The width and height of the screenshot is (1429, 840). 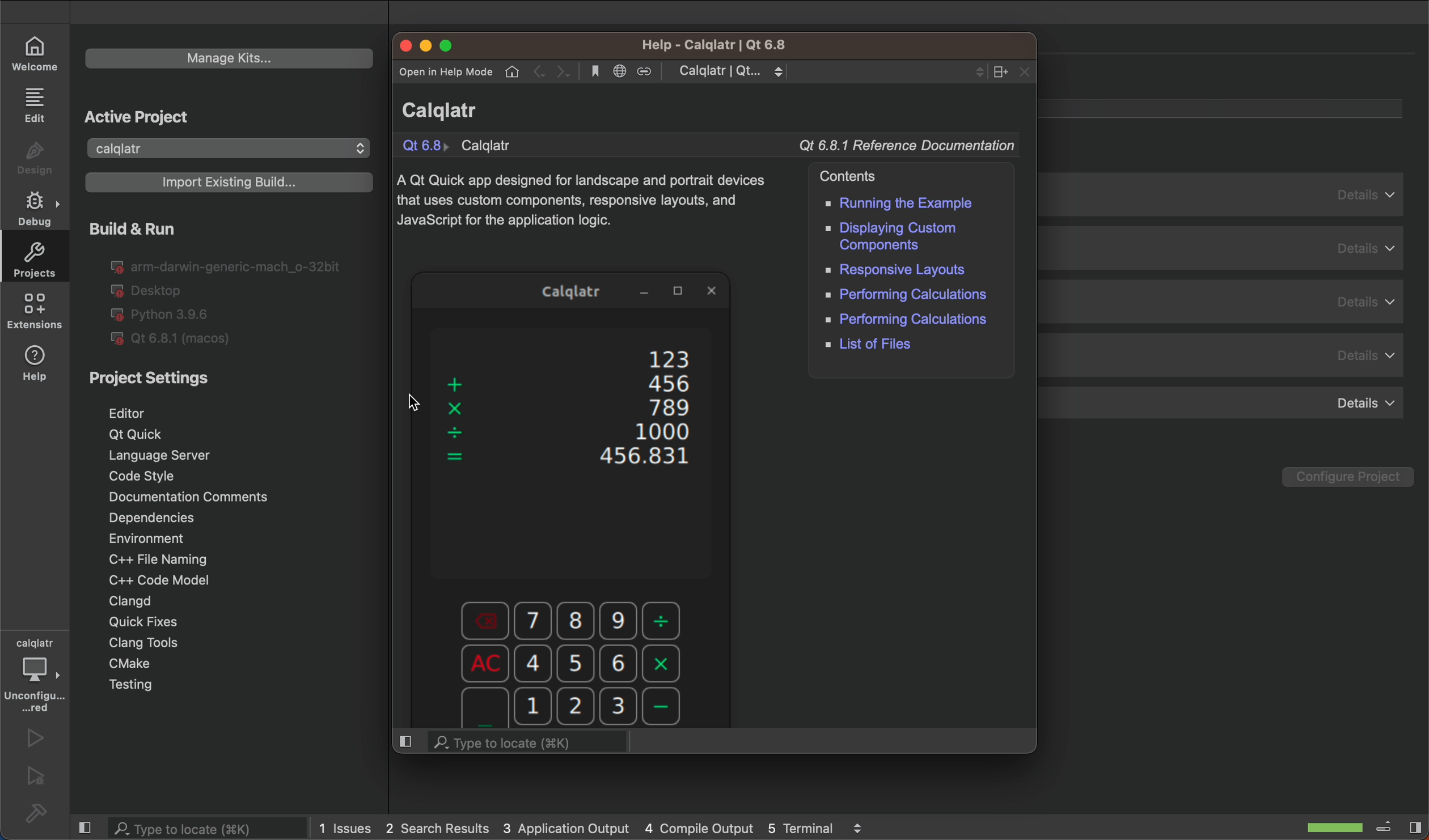 I want to click on contents, so click(x=868, y=179).